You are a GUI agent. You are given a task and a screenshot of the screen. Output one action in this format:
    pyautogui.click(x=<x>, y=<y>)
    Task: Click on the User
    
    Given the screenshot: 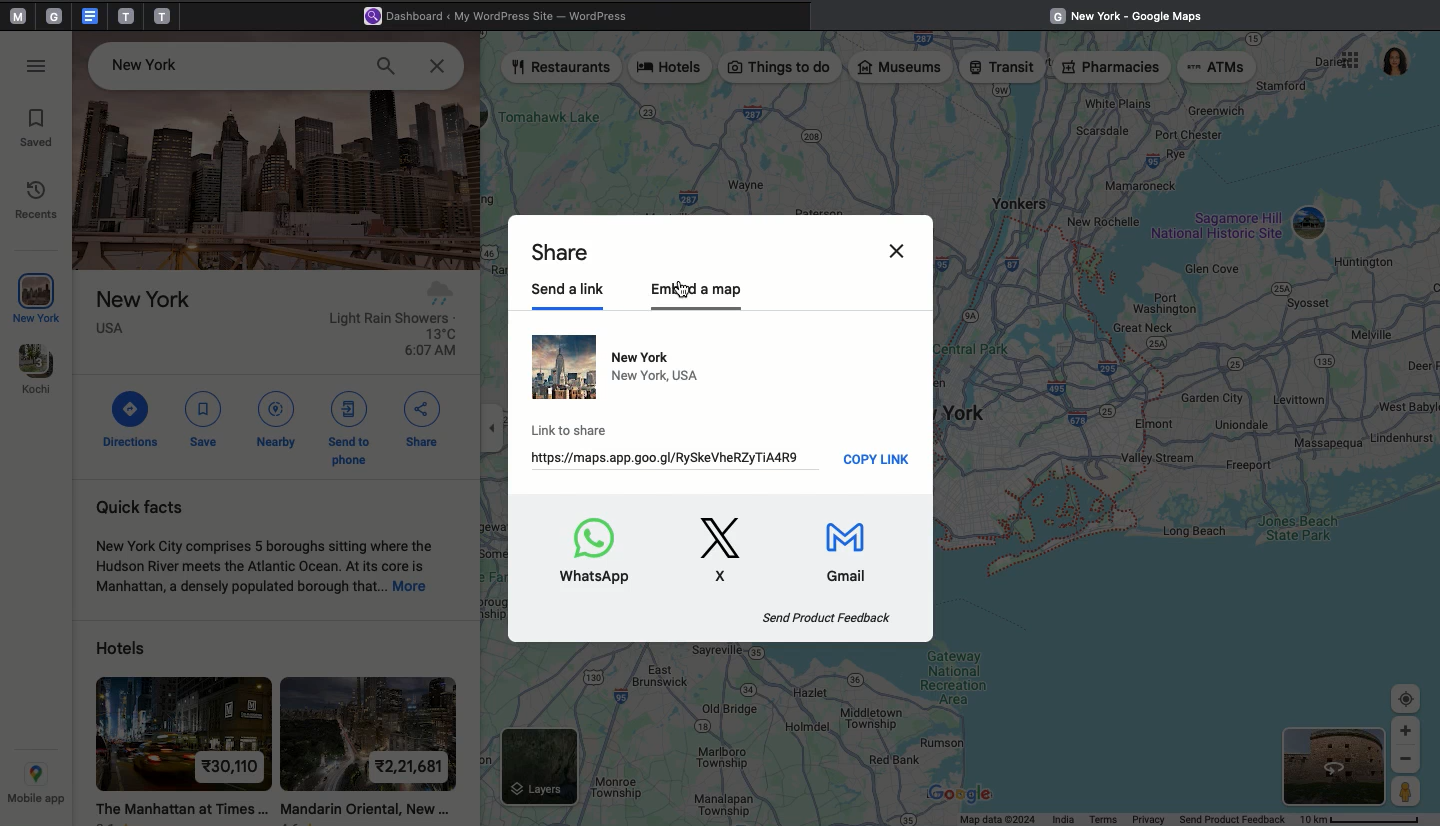 What is the action you would take?
    pyautogui.click(x=1395, y=62)
    